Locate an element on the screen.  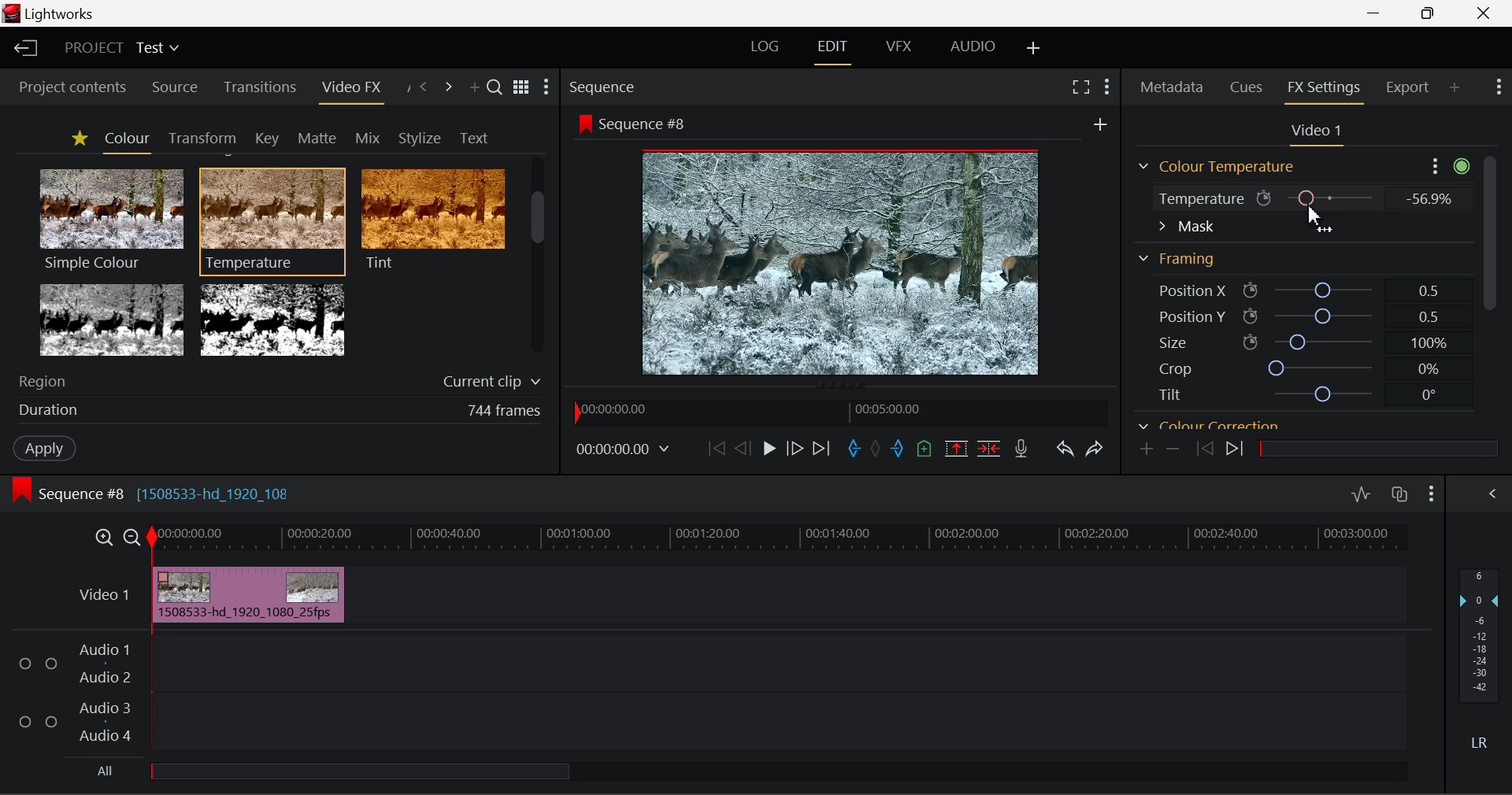
Toggle between title and list view is located at coordinates (523, 88).